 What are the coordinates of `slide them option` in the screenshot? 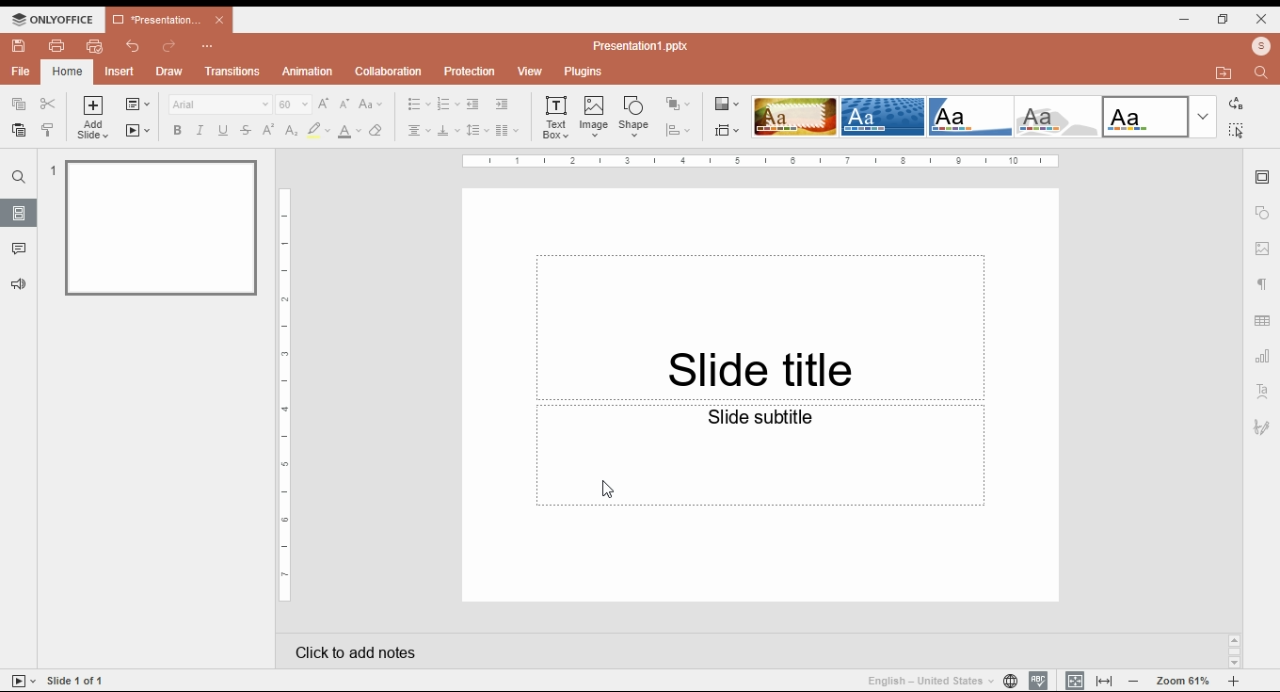 It's located at (883, 116).